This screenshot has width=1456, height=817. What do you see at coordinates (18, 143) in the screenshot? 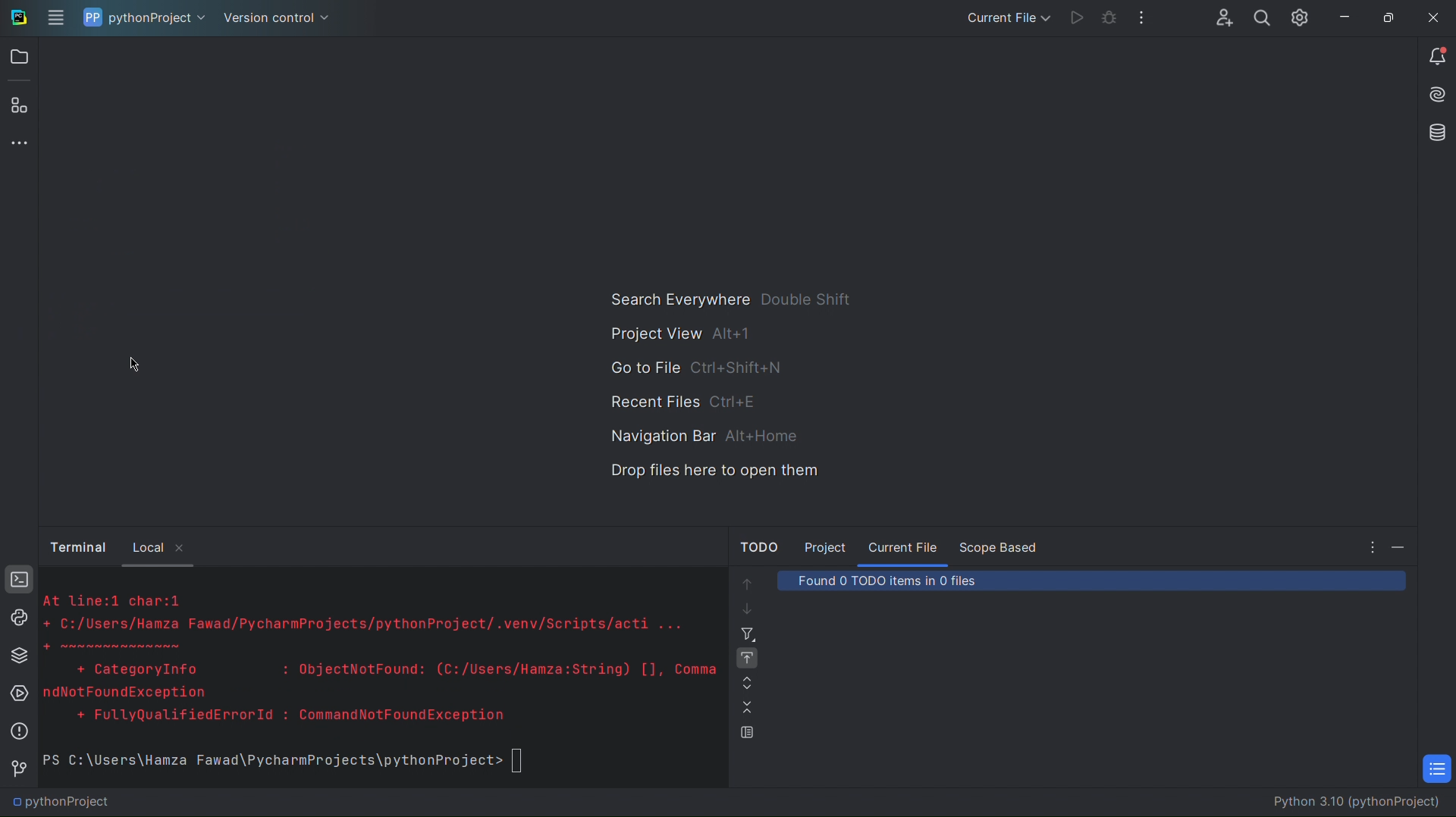
I see `More` at bounding box center [18, 143].